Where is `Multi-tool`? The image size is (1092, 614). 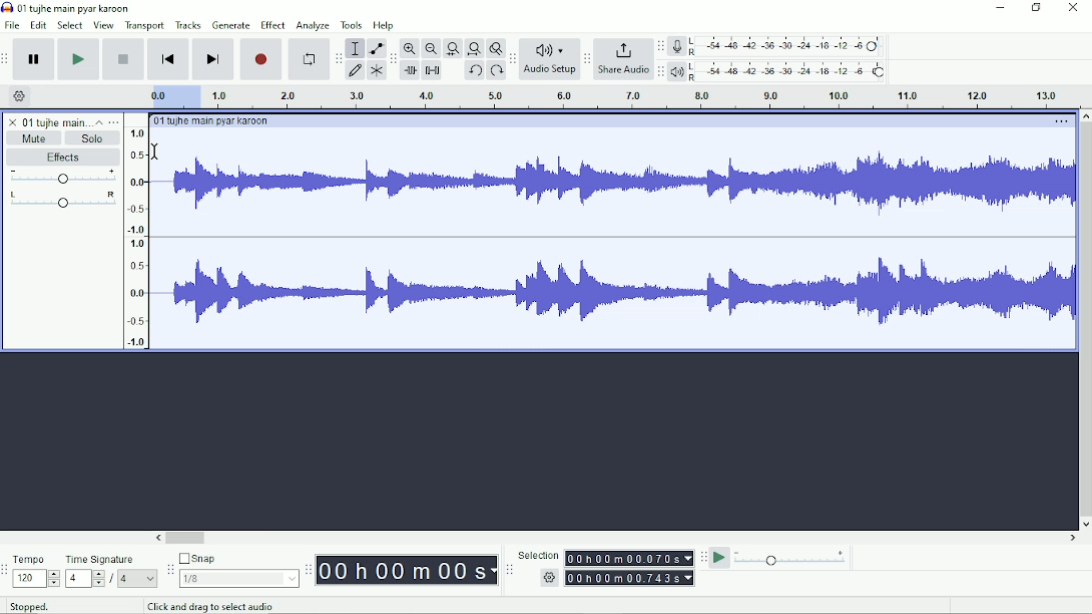
Multi-tool is located at coordinates (376, 73).